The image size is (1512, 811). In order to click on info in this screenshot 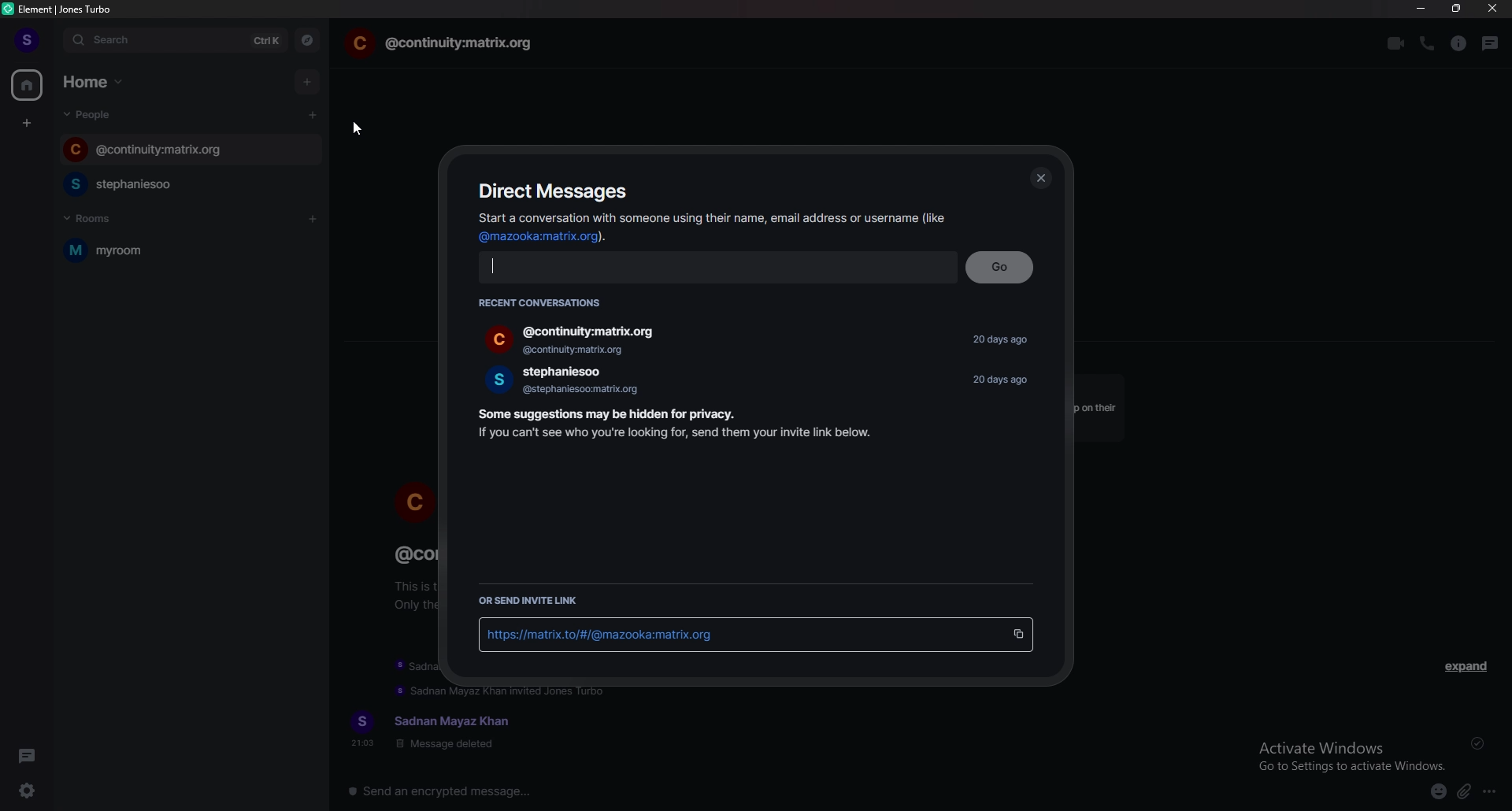, I will do `click(674, 425)`.